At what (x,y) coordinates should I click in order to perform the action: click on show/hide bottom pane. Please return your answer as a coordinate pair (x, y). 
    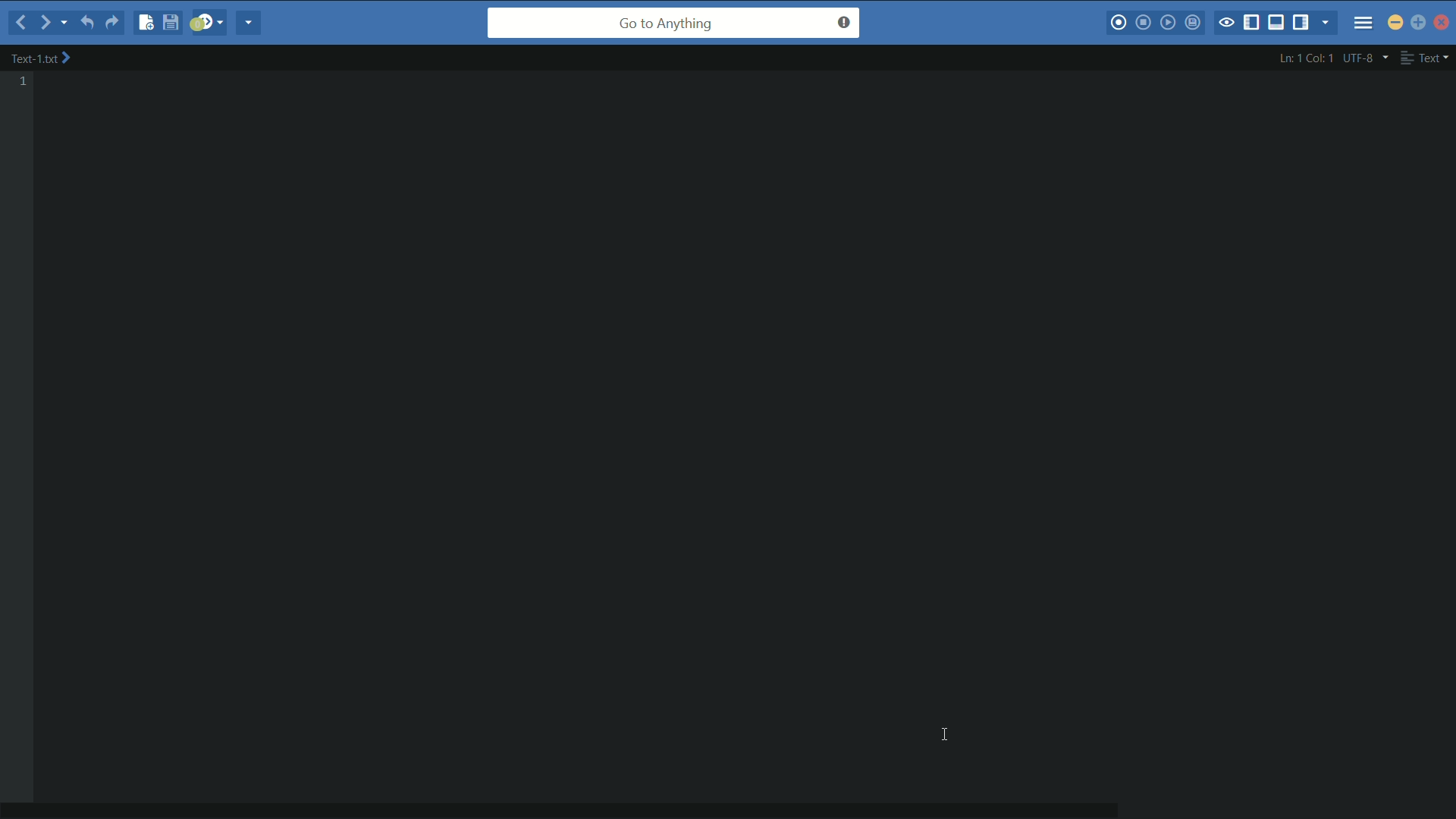
    Looking at the image, I should click on (1277, 22).